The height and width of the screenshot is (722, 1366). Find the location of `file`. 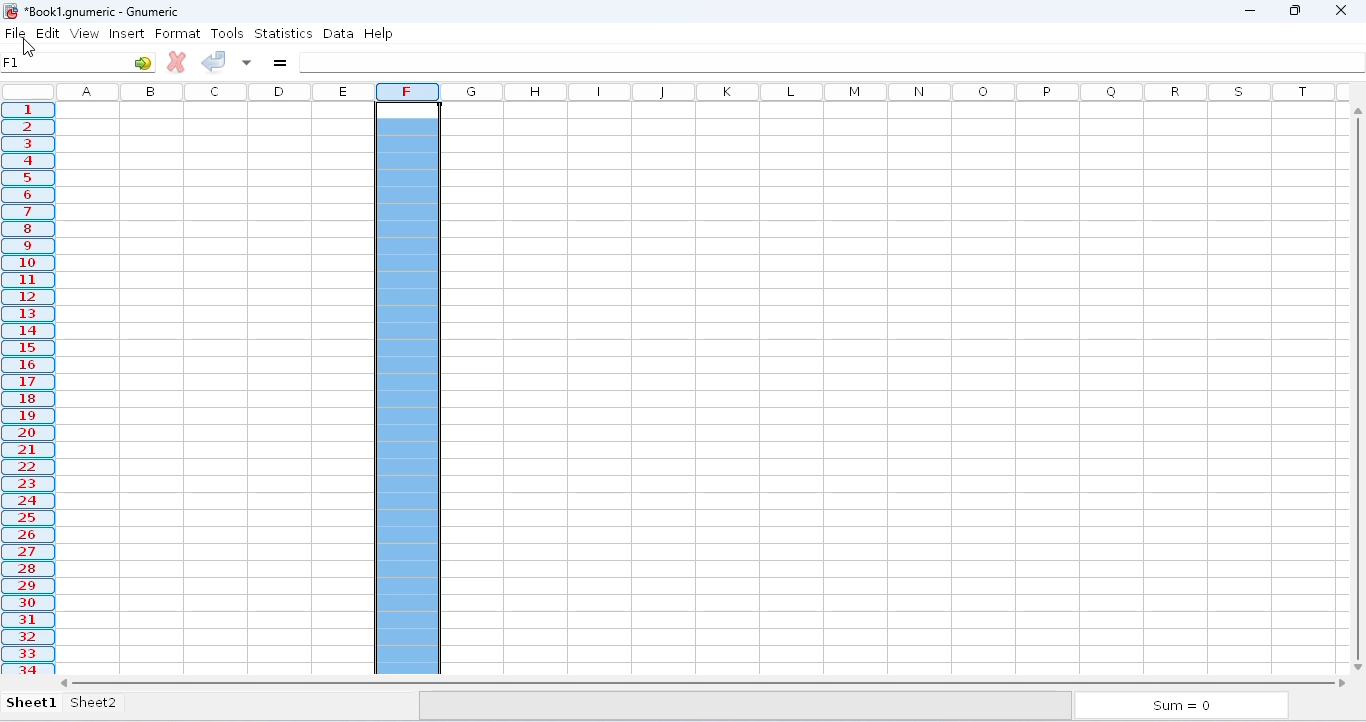

file is located at coordinates (15, 32).